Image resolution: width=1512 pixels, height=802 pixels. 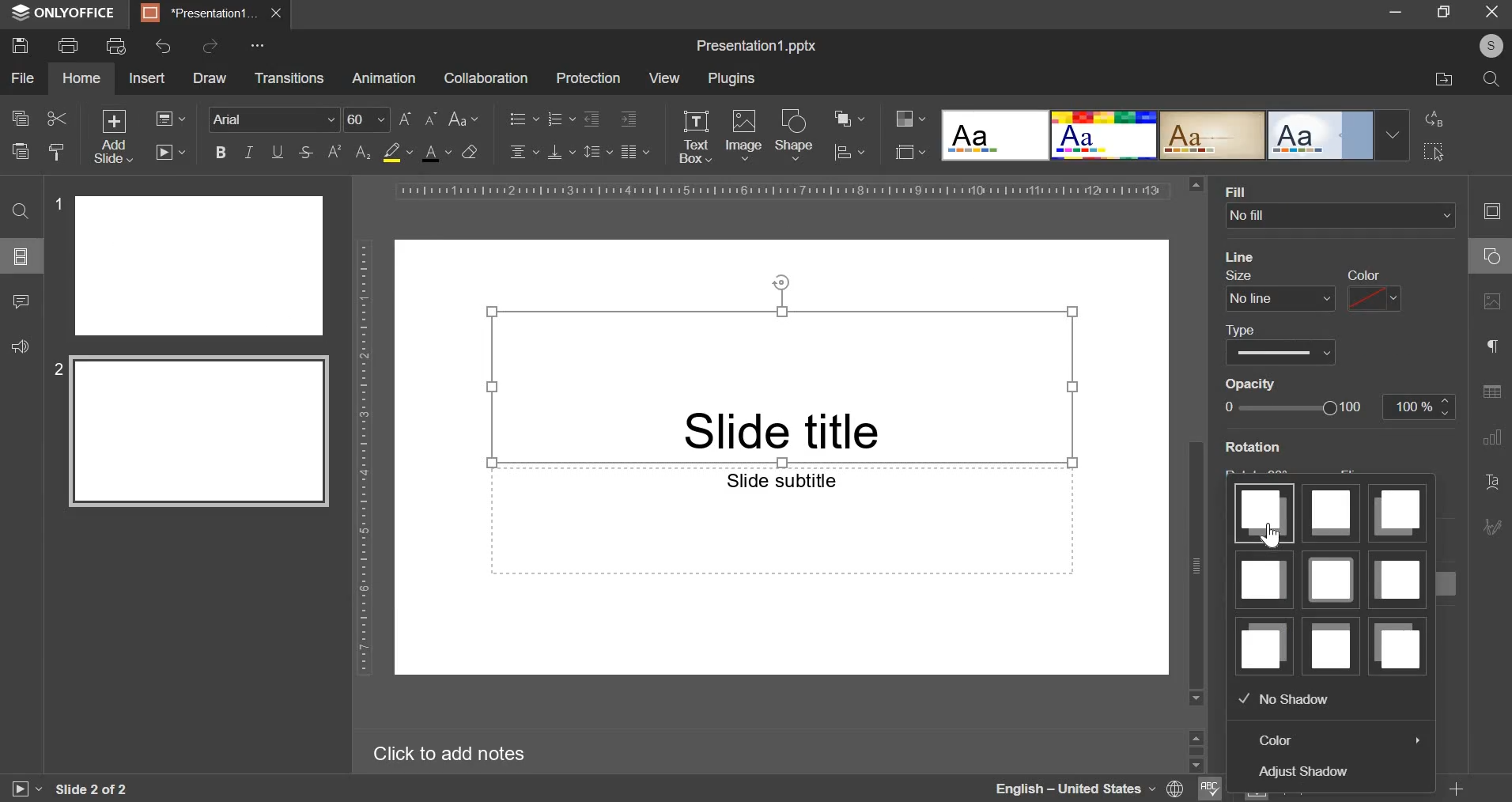 What do you see at coordinates (1196, 441) in the screenshot?
I see `scroll bar` at bounding box center [1196, 441].